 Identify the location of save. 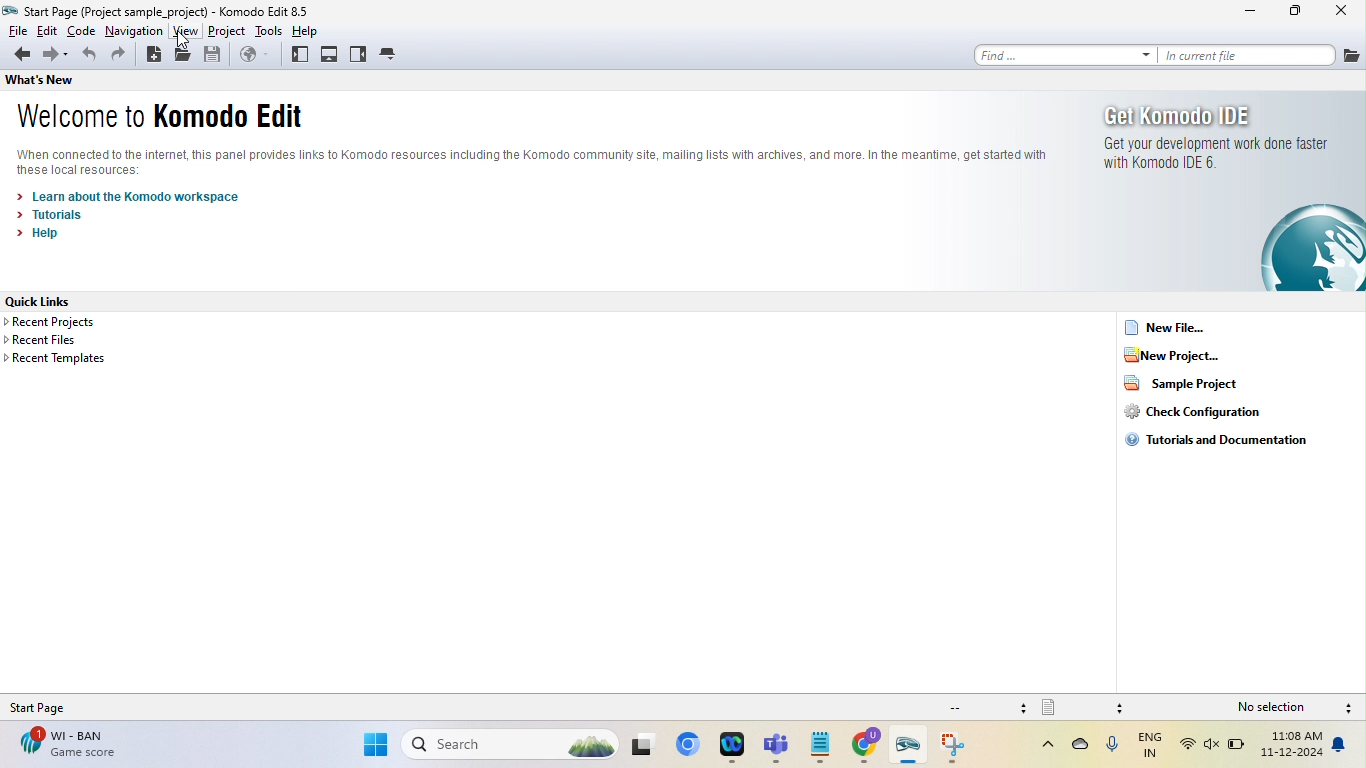
(213, 57).